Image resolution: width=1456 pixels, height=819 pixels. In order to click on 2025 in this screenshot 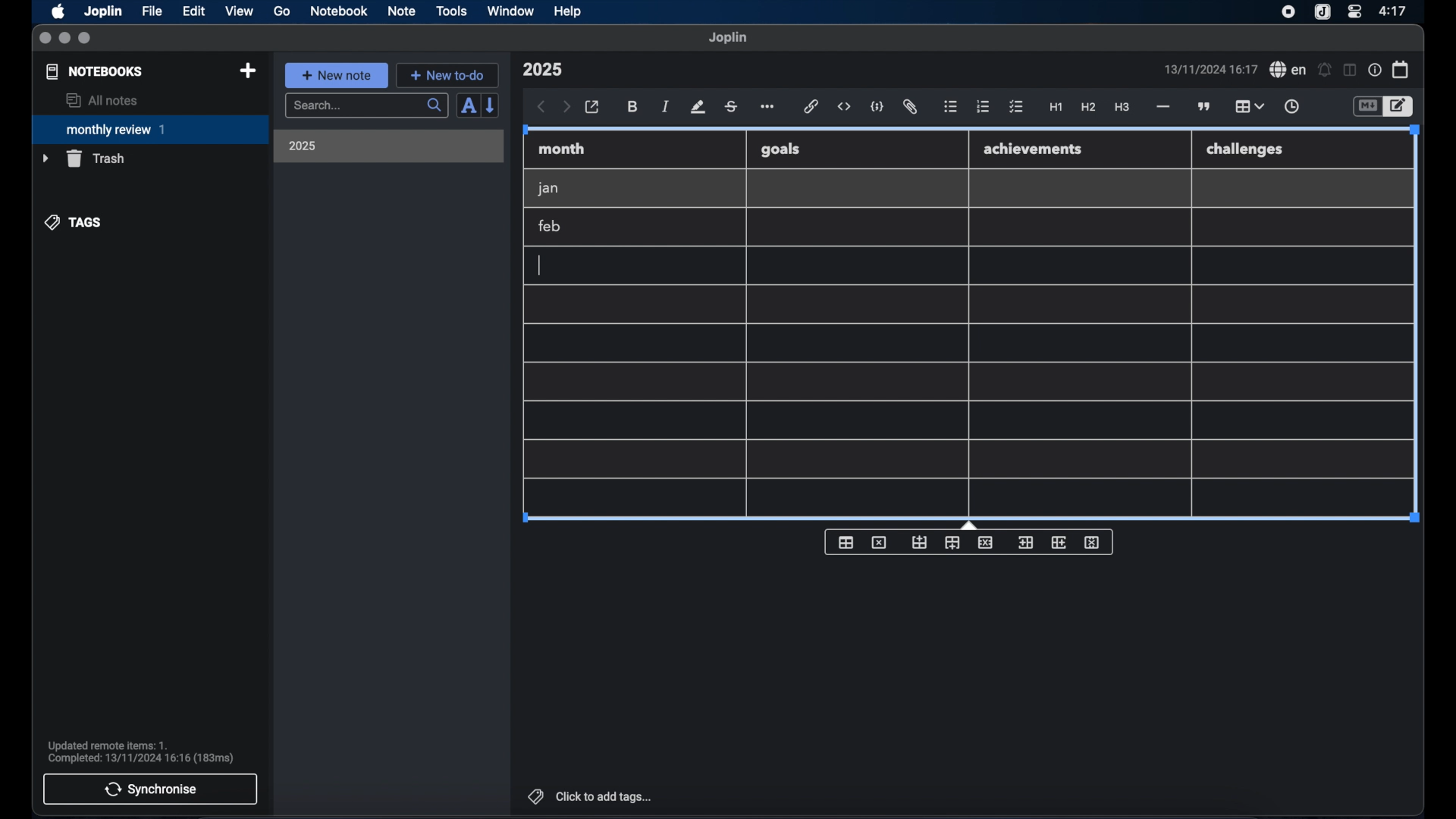, I will do `click(303, 146)`.